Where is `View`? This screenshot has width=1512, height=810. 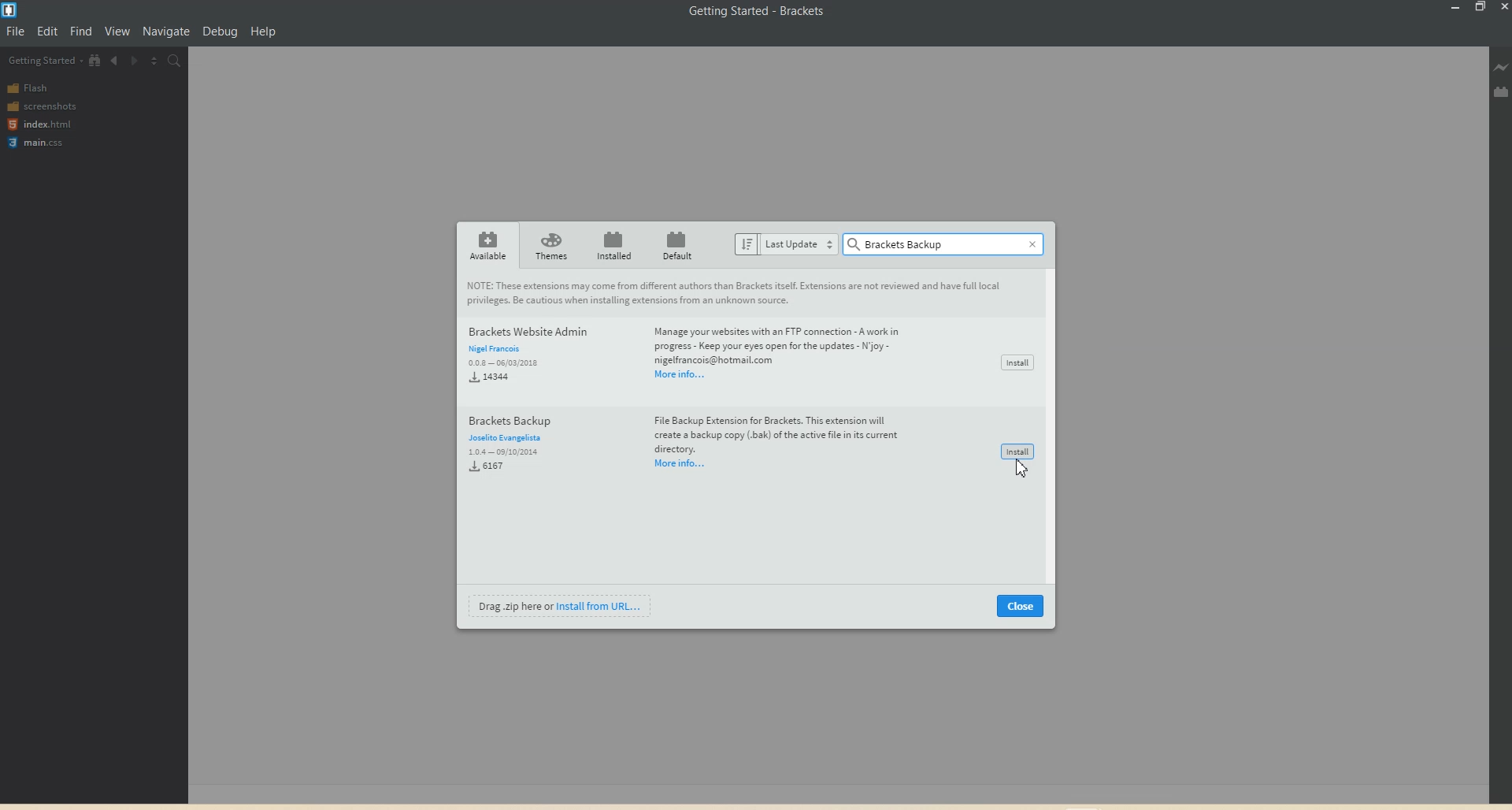 View is located at coordinates (118, 31).